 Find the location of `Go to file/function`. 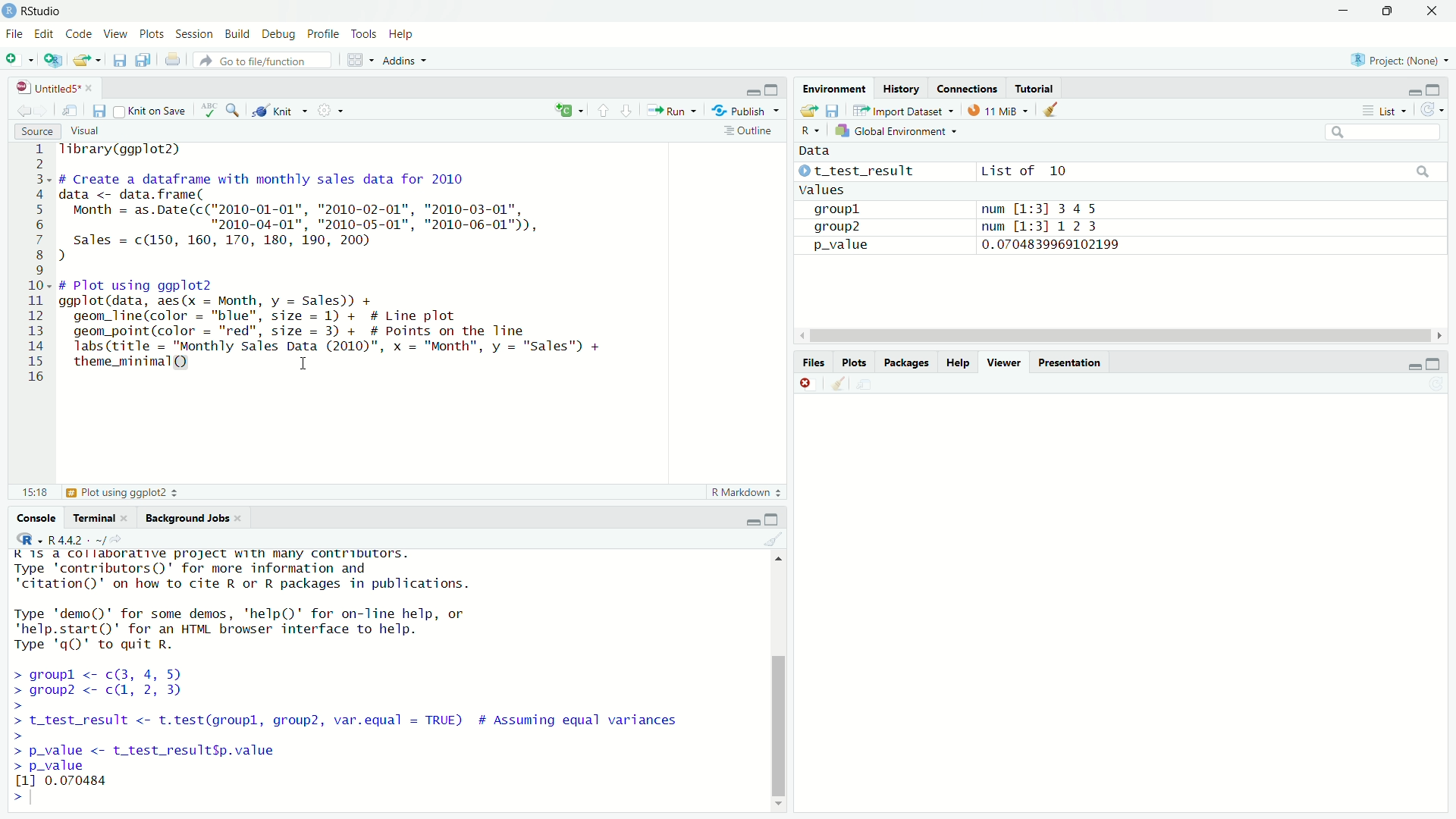

Go to file/function is located at coordinates (267, 59).